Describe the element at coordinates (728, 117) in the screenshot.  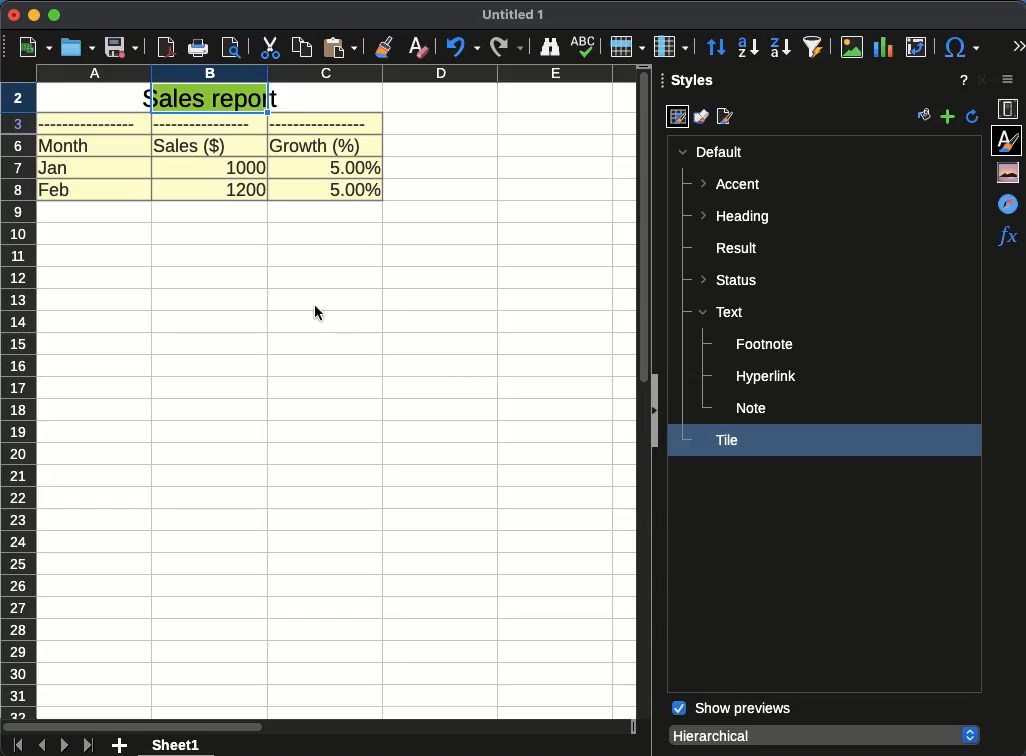
I see `page styles` at that location.